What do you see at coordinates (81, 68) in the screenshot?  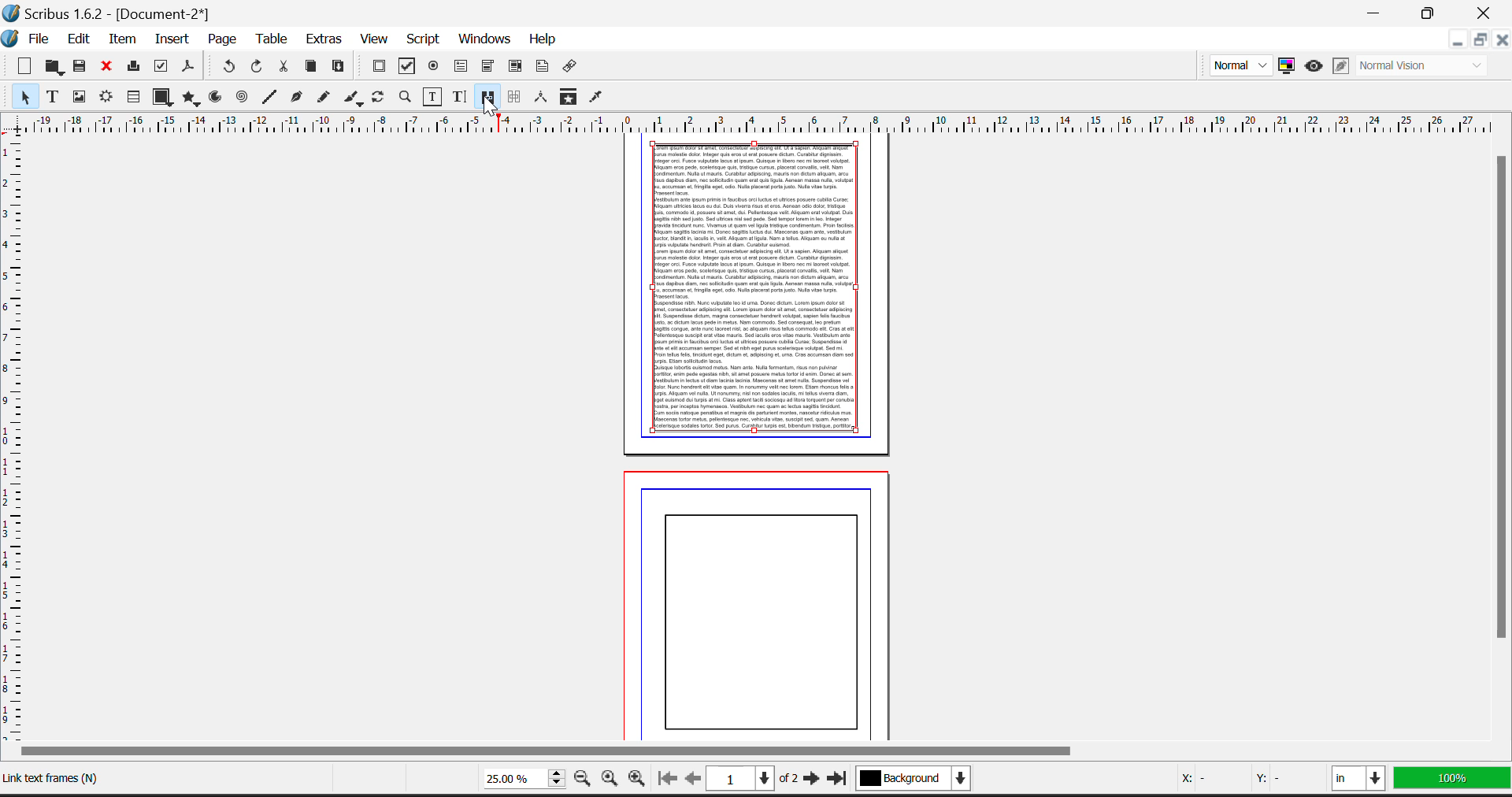 I see `Save` at bounding box center [81, 68].